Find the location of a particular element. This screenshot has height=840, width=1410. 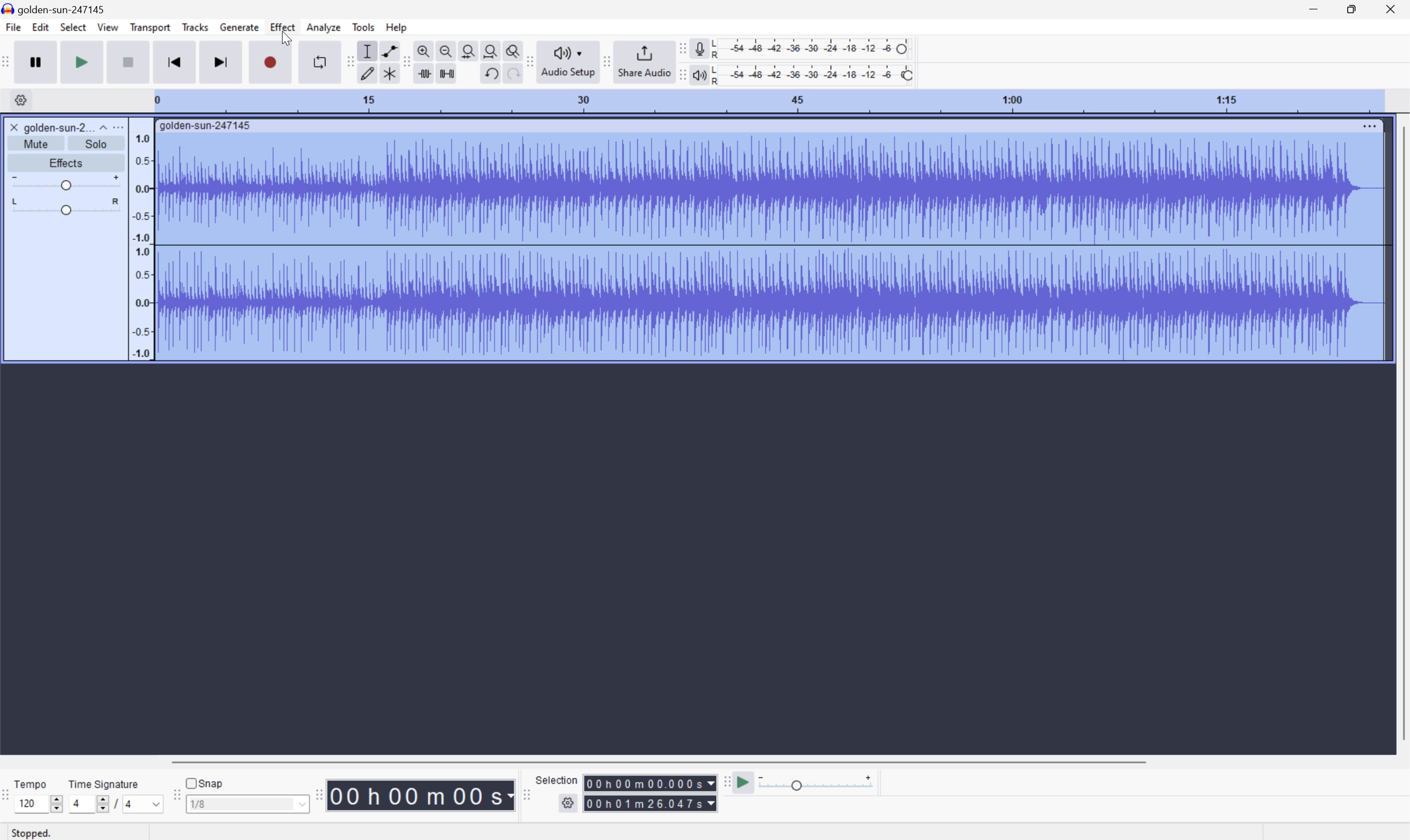

Time signature is located at coordinates (103, 783).